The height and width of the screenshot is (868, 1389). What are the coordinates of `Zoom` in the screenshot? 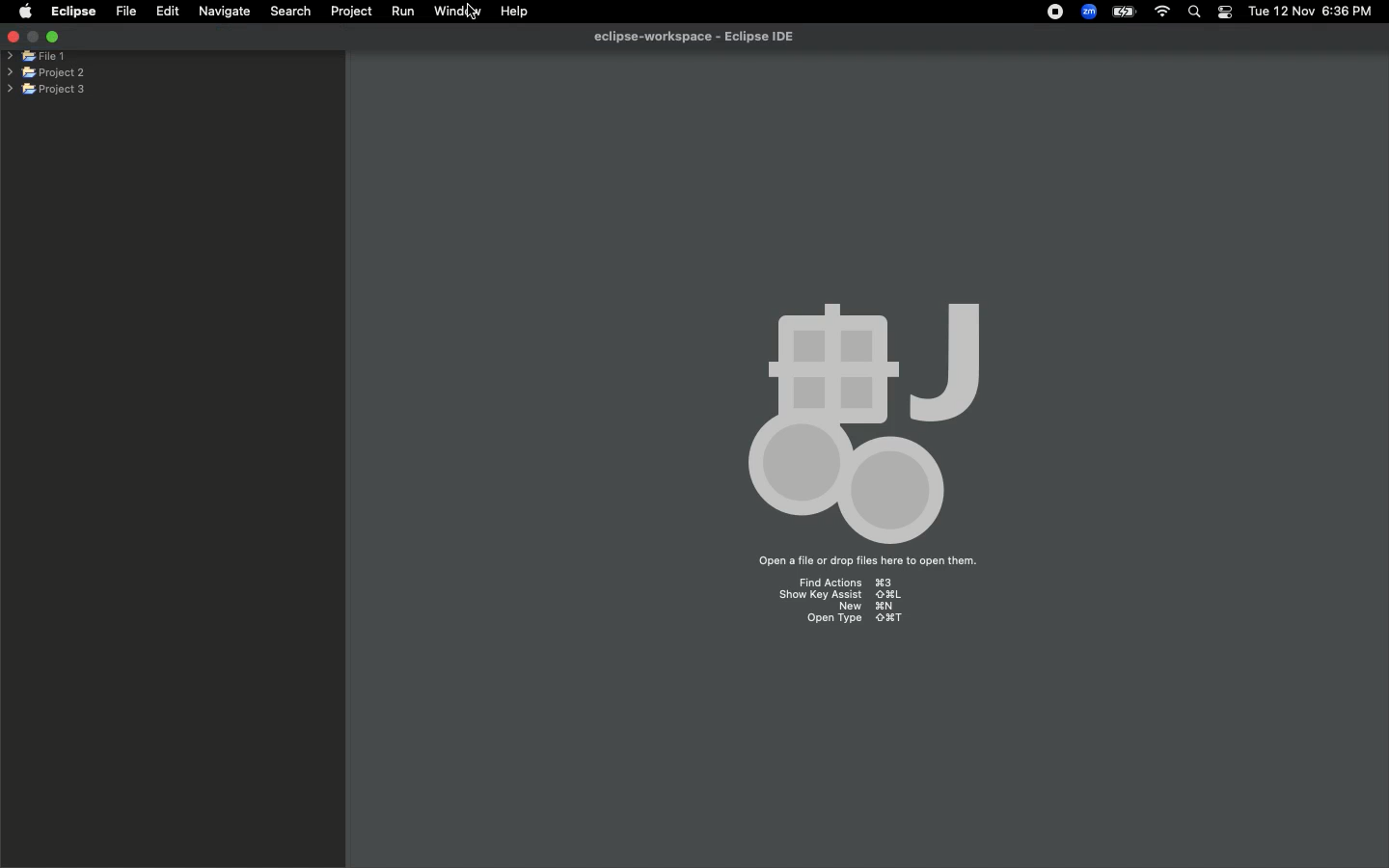 It's located at (1090, 12).